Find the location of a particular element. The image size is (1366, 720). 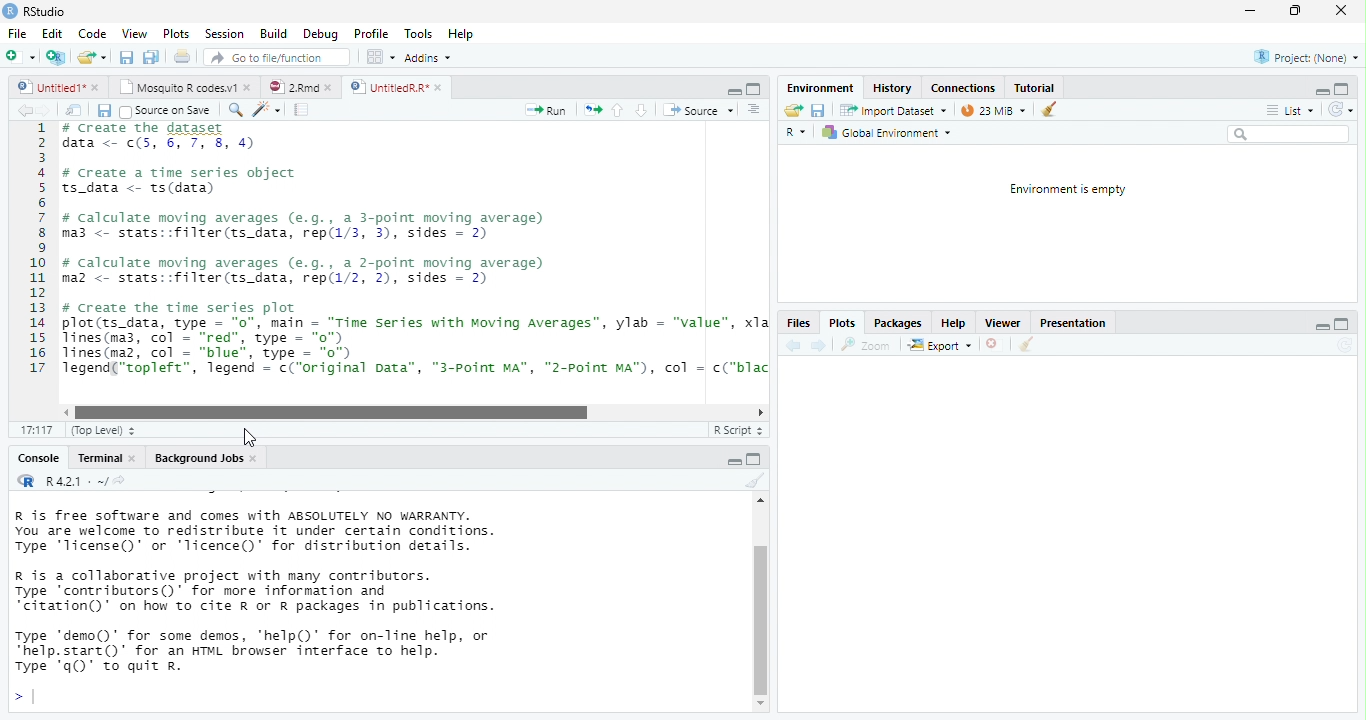

New file is located at coordinates (19, 57).